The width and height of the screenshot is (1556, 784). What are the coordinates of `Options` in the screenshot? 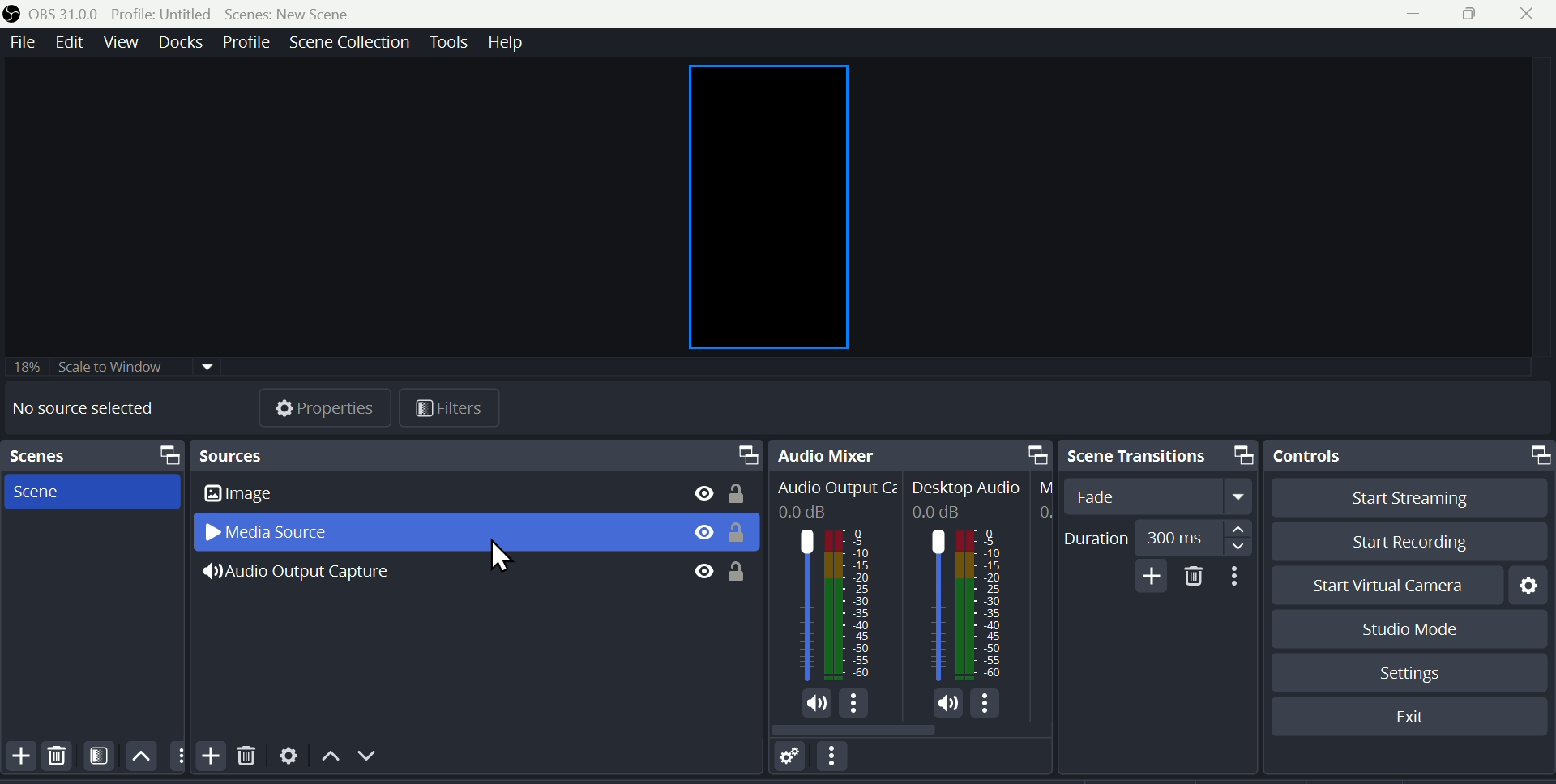 It's located at (986, 704).